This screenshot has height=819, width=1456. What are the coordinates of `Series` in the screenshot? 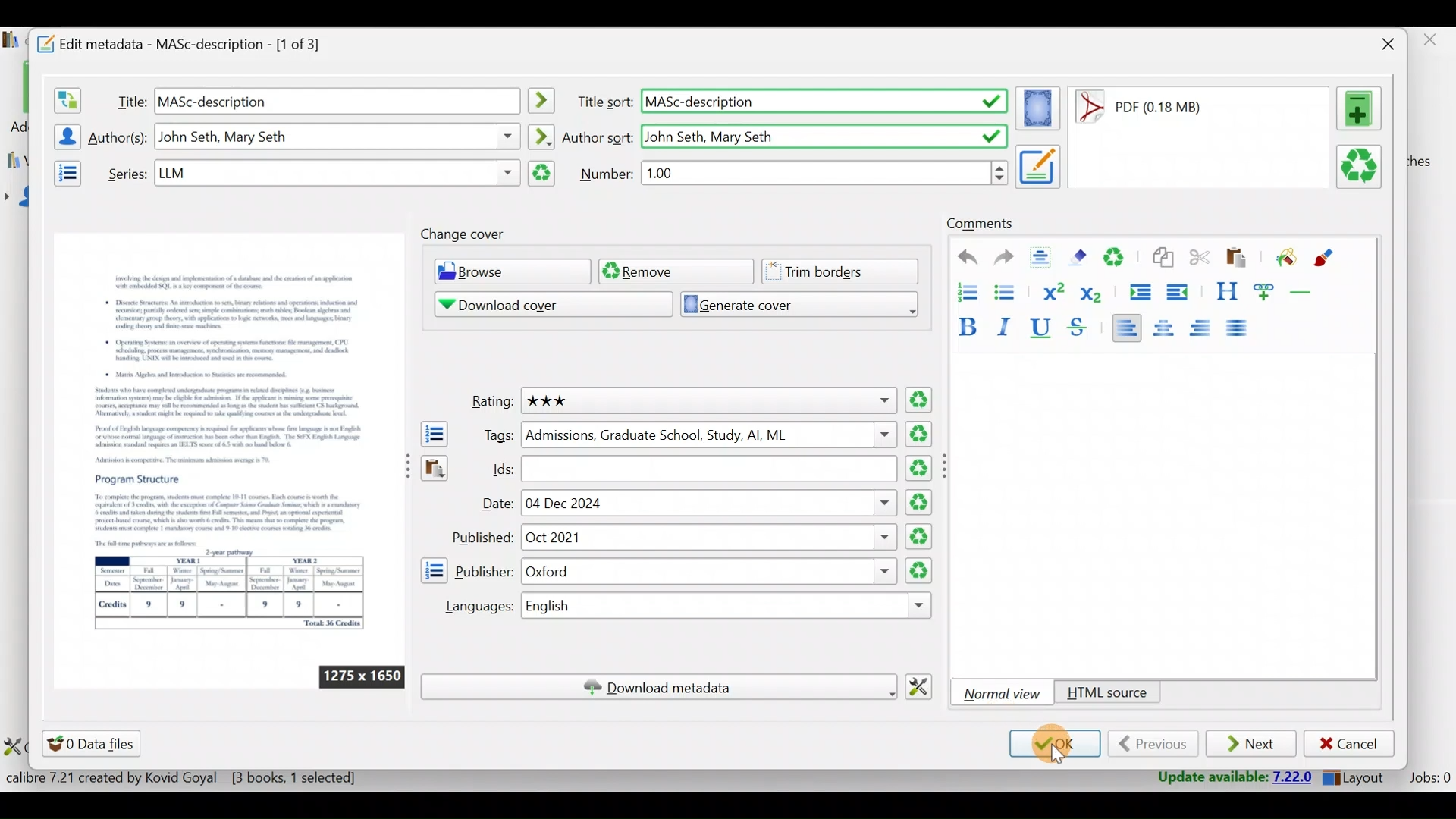 It's located at (124, 172).